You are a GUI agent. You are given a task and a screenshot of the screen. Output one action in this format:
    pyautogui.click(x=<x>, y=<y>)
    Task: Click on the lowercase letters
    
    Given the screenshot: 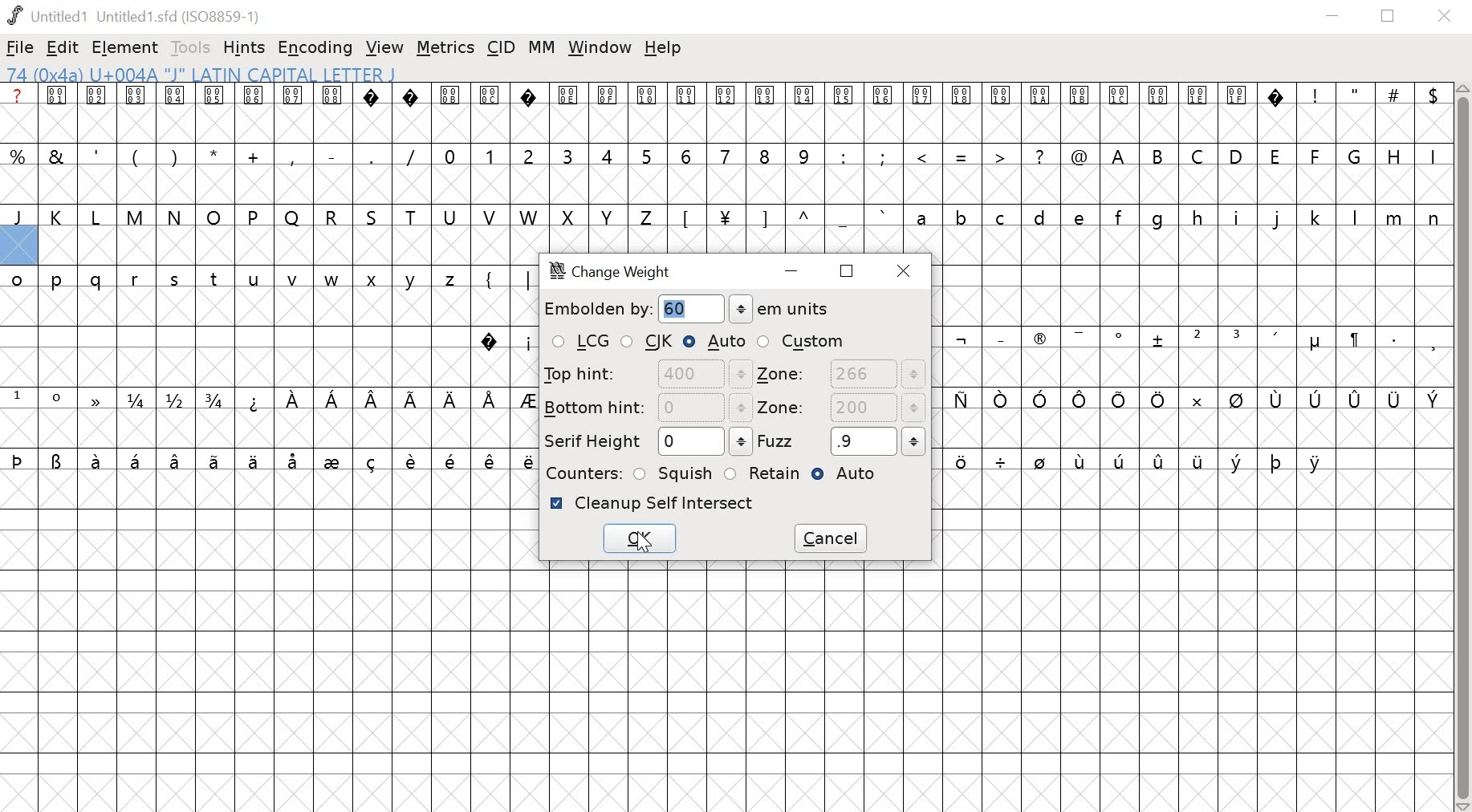 What is the action you would take?
    pyautogui.click(x=238, y=282)
    